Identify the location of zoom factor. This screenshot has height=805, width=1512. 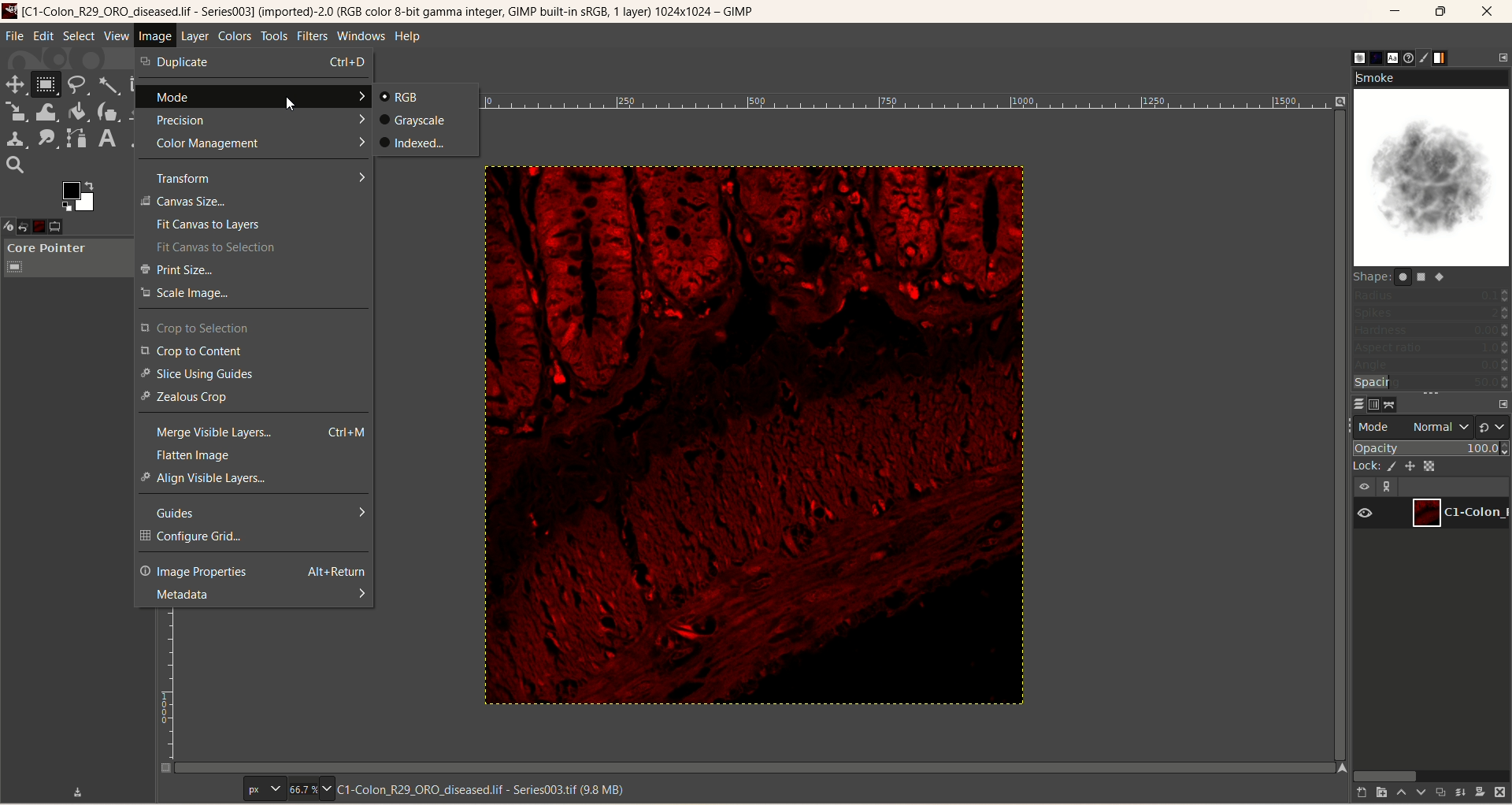
(313, 789).